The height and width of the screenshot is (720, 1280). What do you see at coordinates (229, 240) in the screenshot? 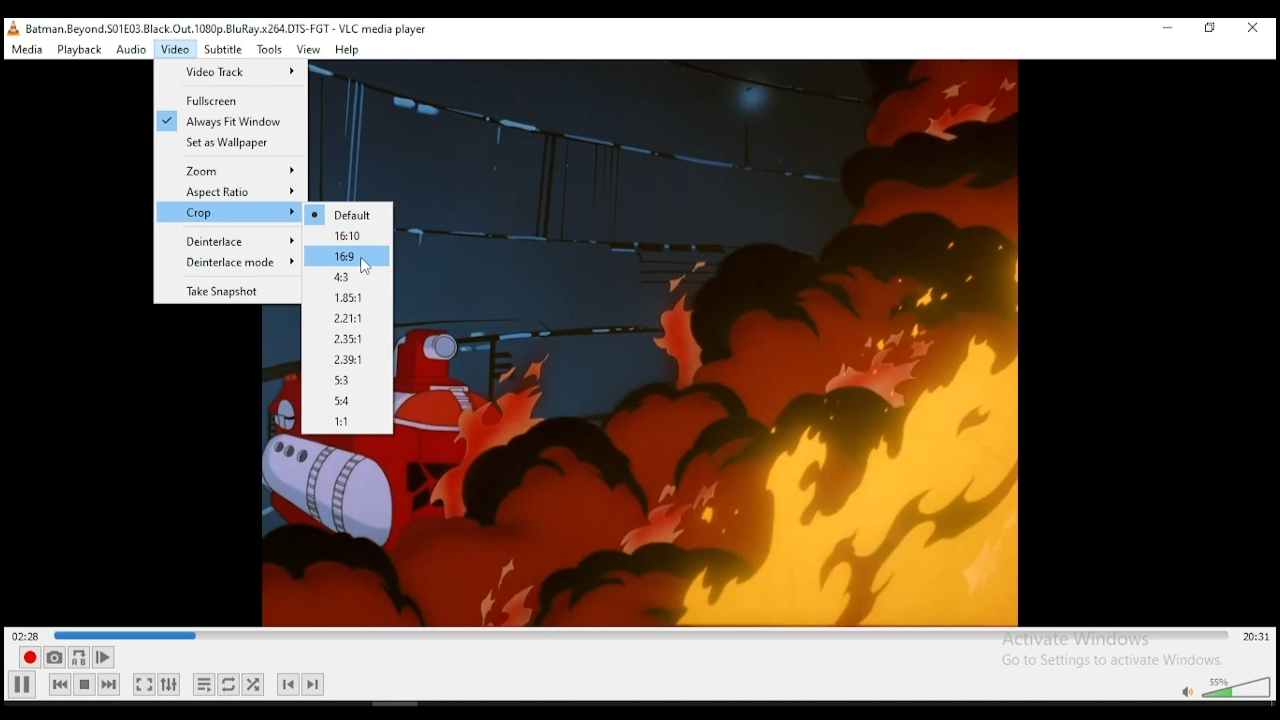
I see `Deinterlace` at bounding box center [229, 240].